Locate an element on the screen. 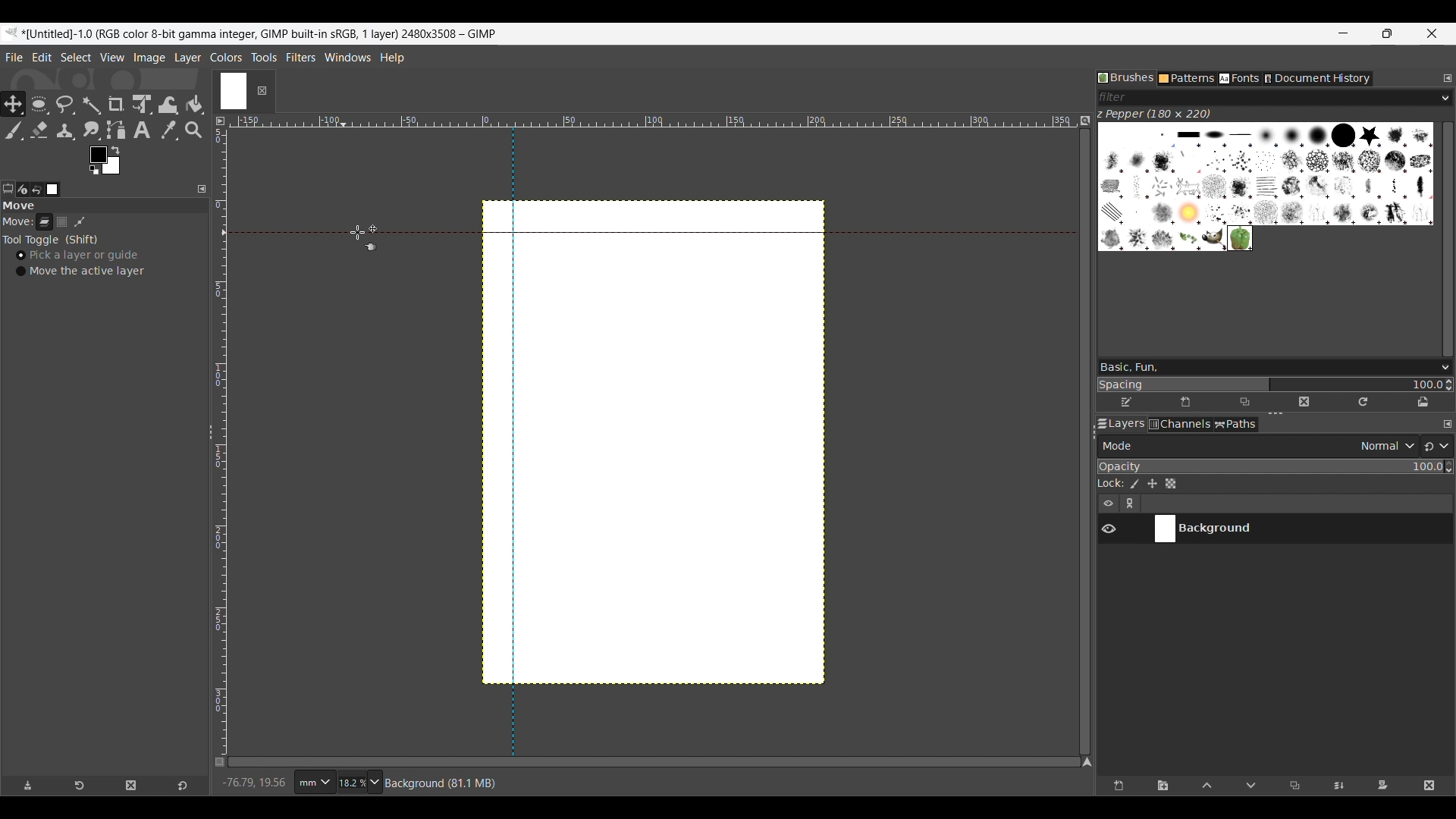 Image resolution: width=1456 pixels, height=819 pixels. Minimize  is located at coordinates (1344, 33).